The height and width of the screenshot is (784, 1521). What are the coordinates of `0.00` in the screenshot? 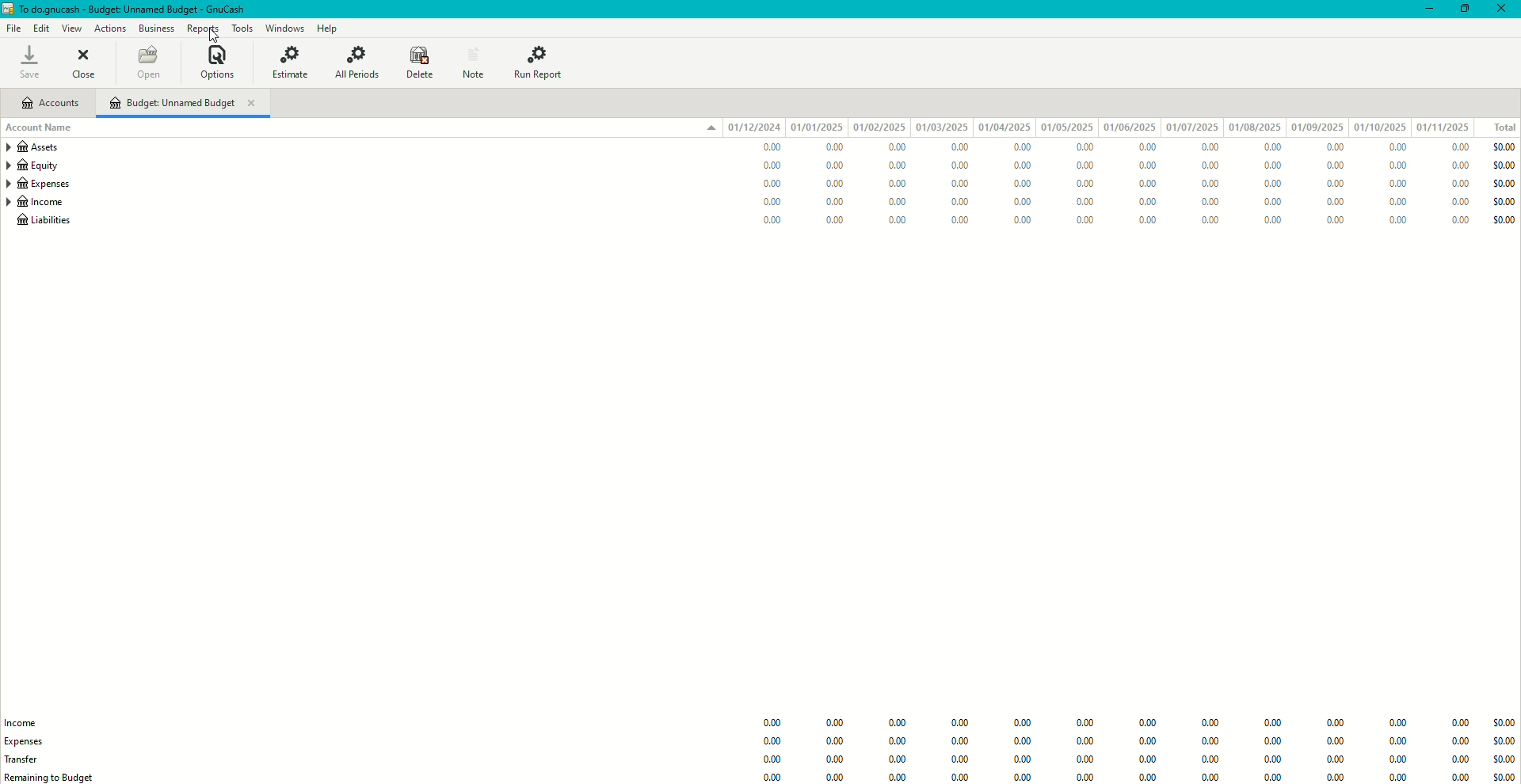 It's located at (1088, 182).